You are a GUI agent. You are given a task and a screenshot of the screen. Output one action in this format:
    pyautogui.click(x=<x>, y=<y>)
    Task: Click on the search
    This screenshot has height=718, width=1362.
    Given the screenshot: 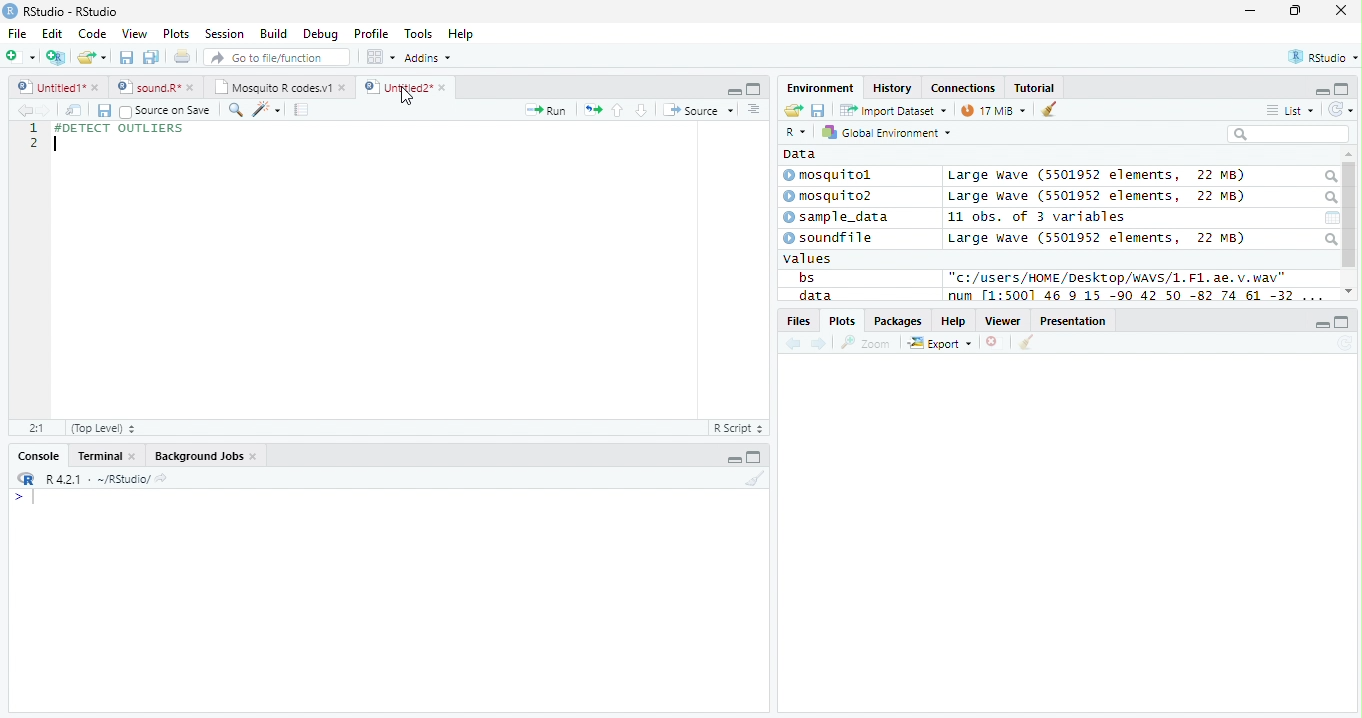 What is the action you would take?
    pyautogui.click(x=1329, y=198)
    